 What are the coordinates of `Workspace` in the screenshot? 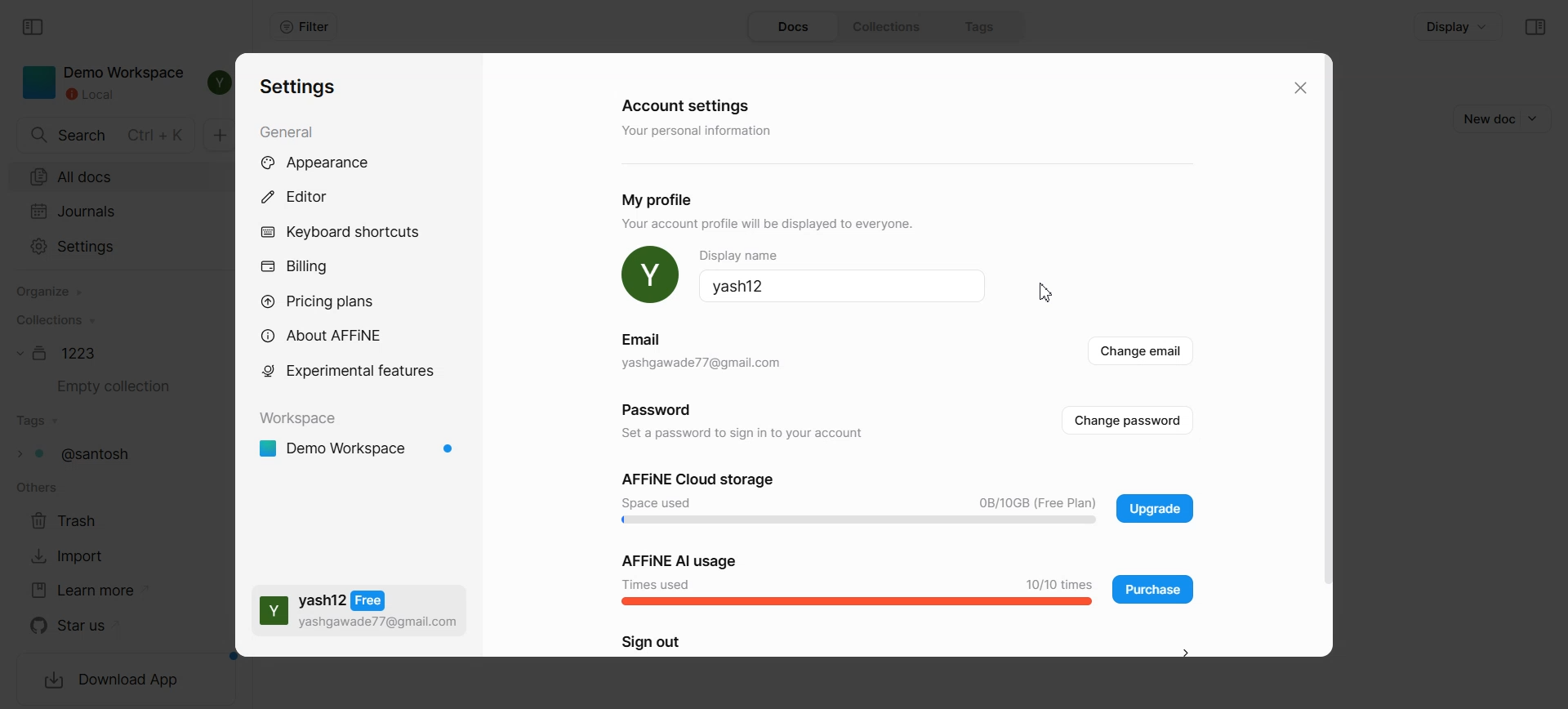 It's located at (303, 419).